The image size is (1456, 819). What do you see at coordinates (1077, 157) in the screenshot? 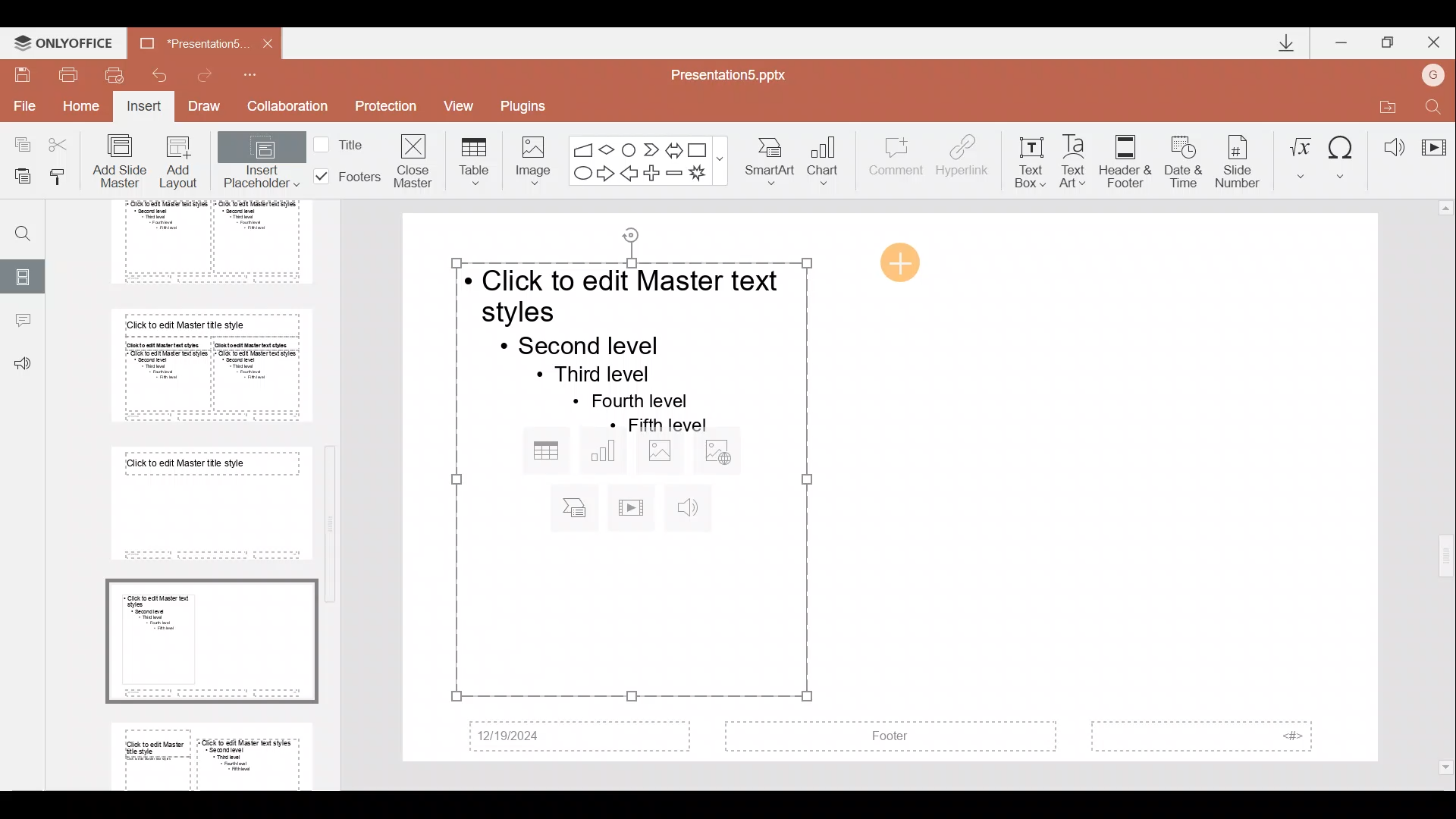
I see `Text Art` at bounding box center [1077, 157].